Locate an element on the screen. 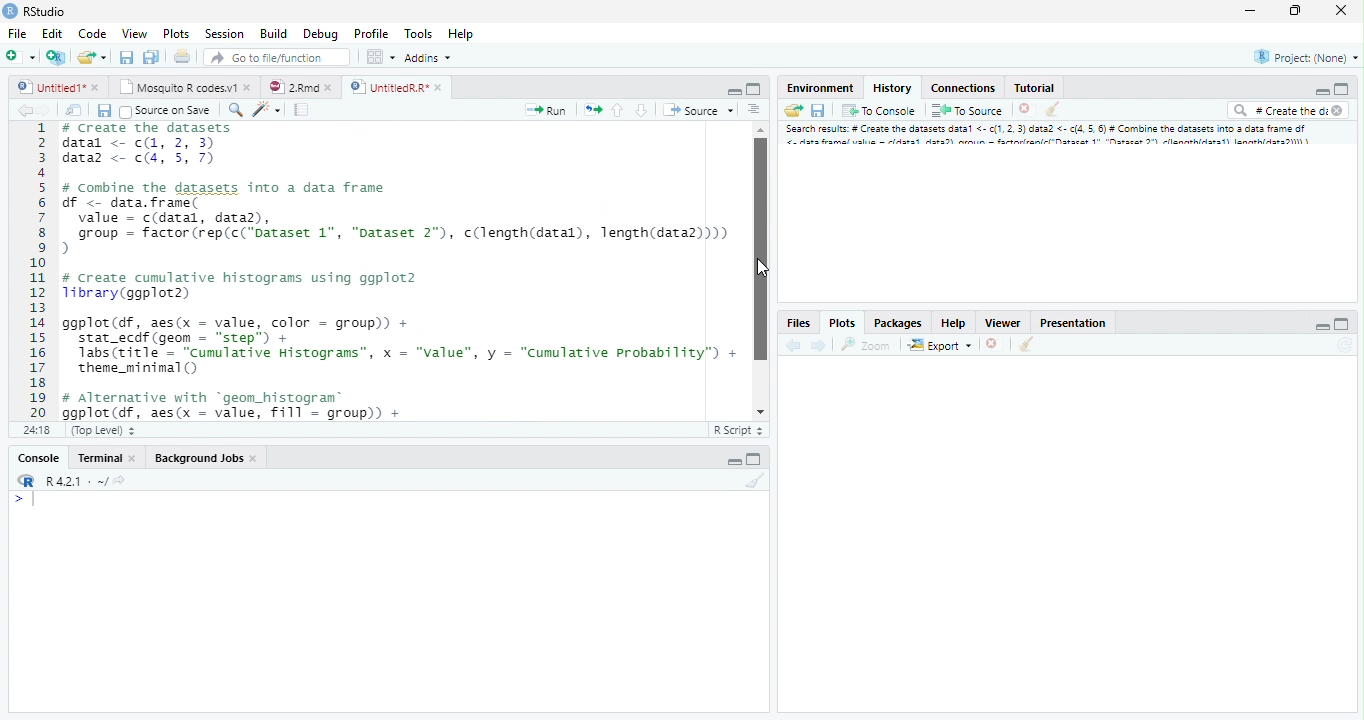 The height and width of the screenshot is (720, 1364). Session is located at coordinates (227, 34).